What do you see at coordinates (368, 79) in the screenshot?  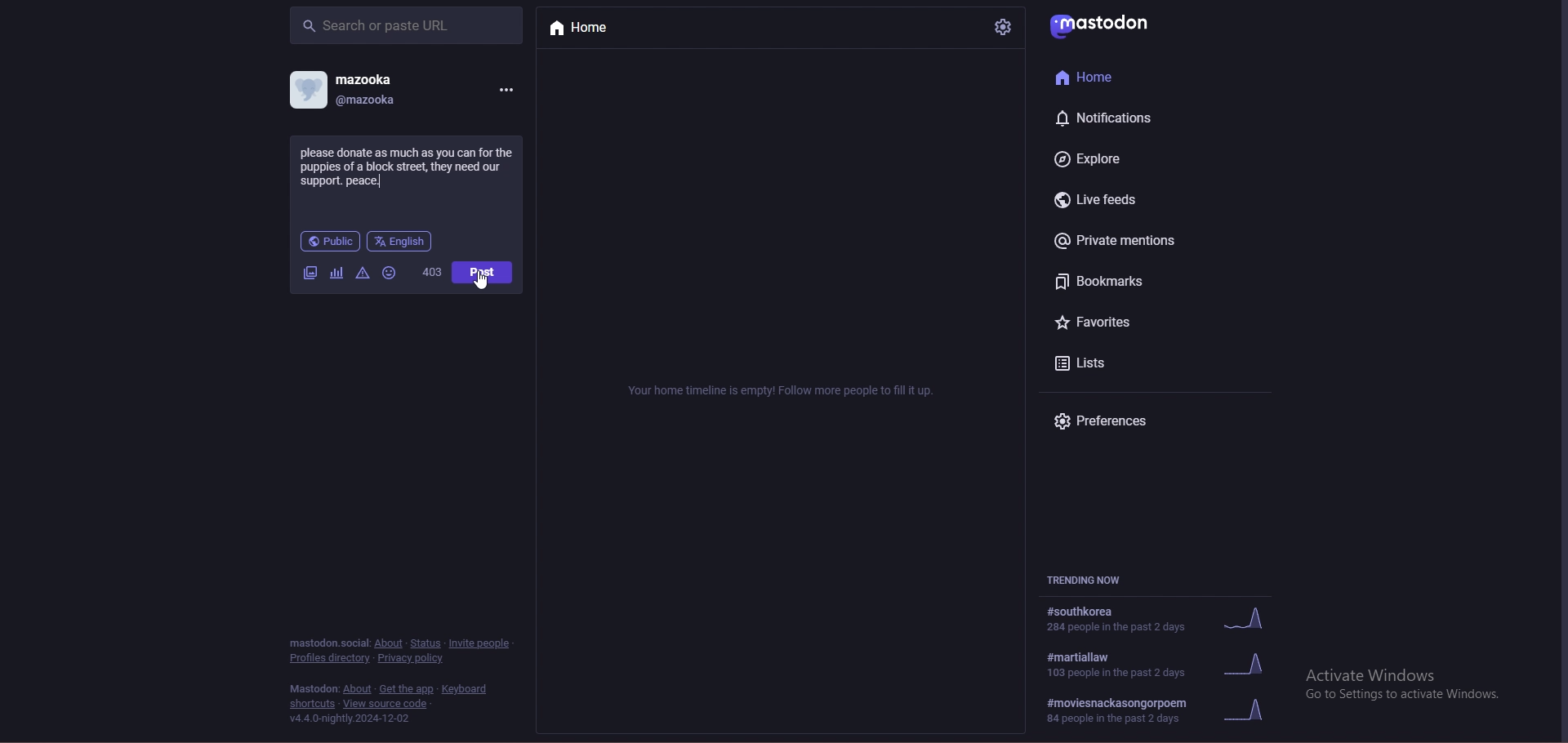 I see `mazooka` at bounding box center [368, 79].